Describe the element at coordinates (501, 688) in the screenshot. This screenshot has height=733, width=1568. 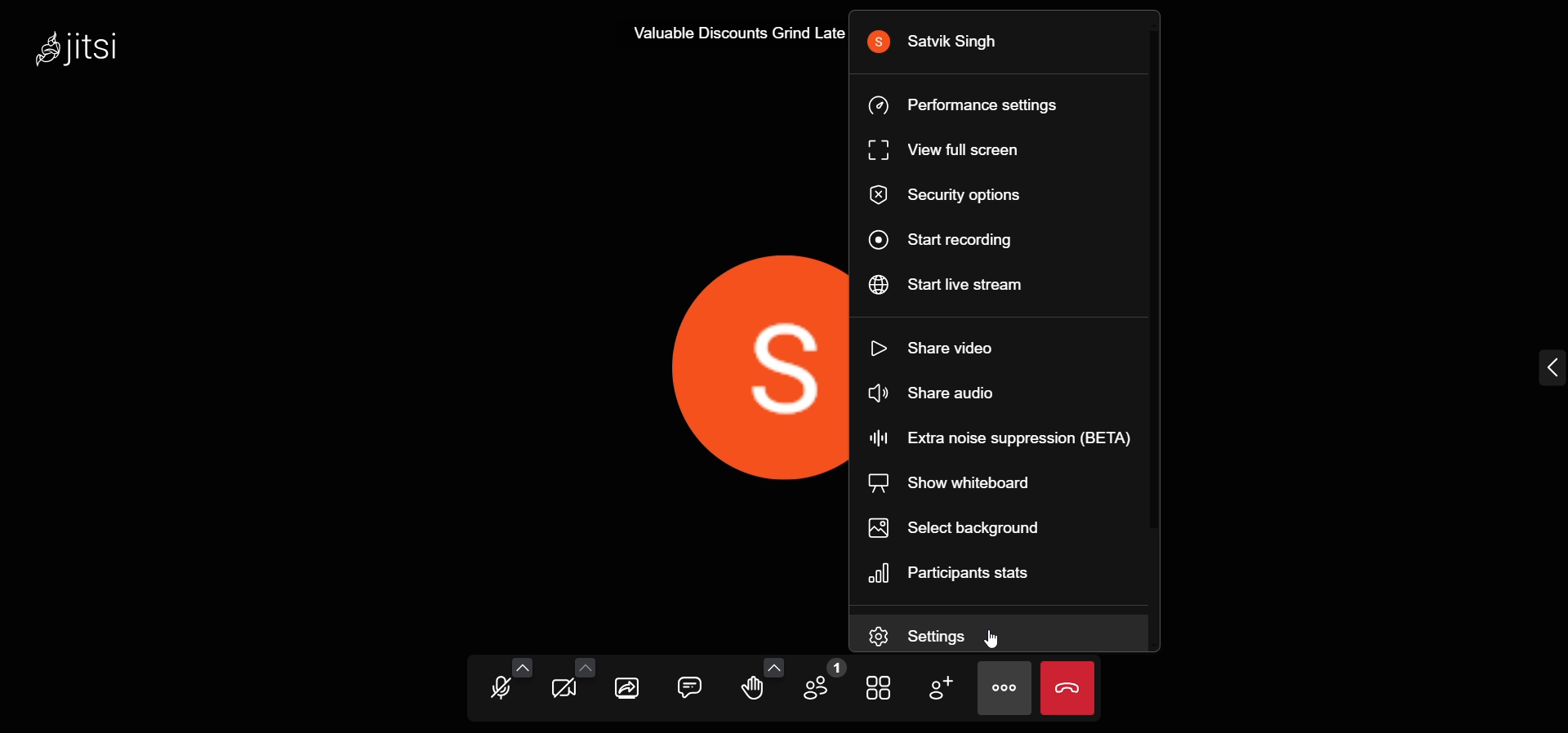
I see `microphone` at that location.